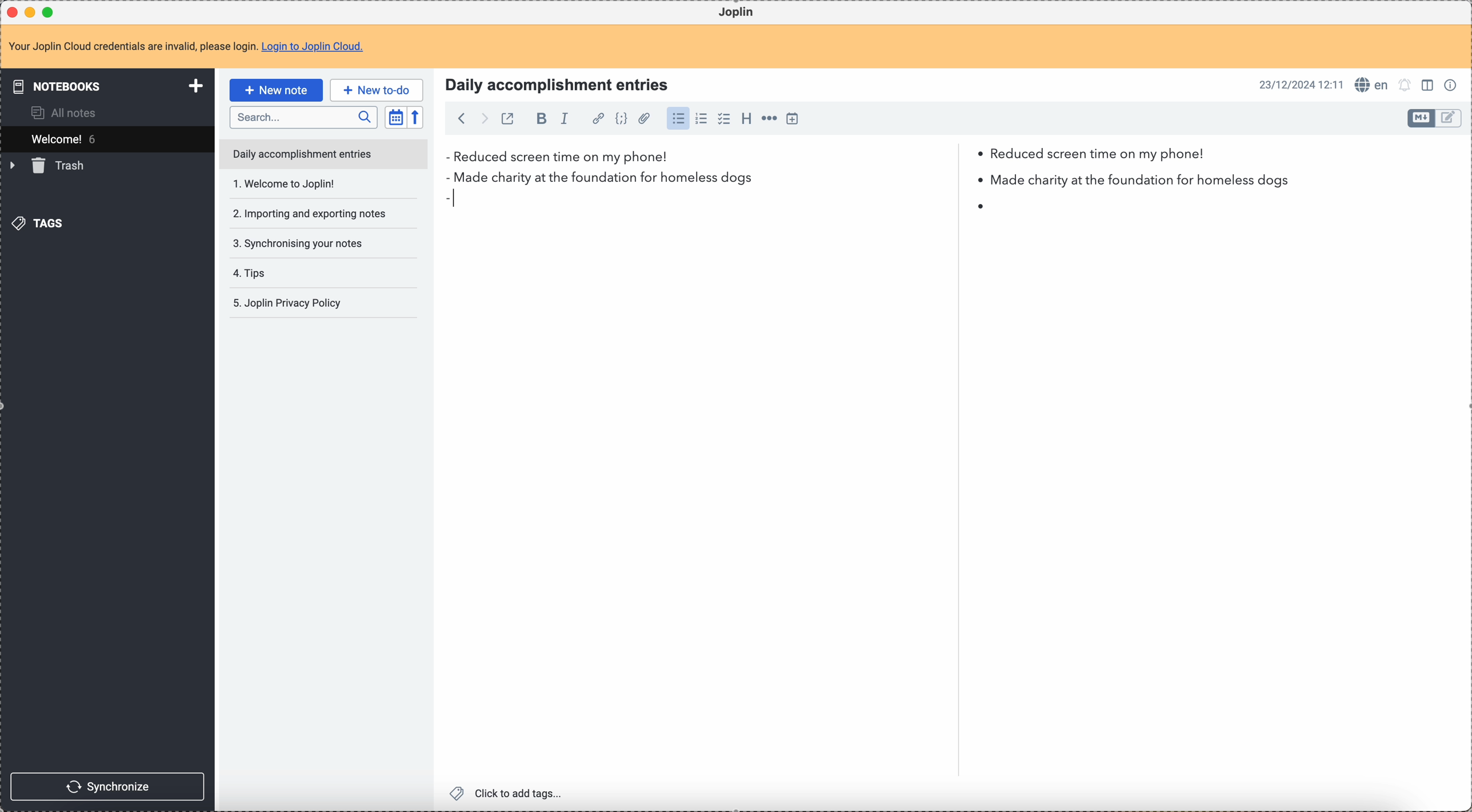  I want to click on item, so click(719, 205).